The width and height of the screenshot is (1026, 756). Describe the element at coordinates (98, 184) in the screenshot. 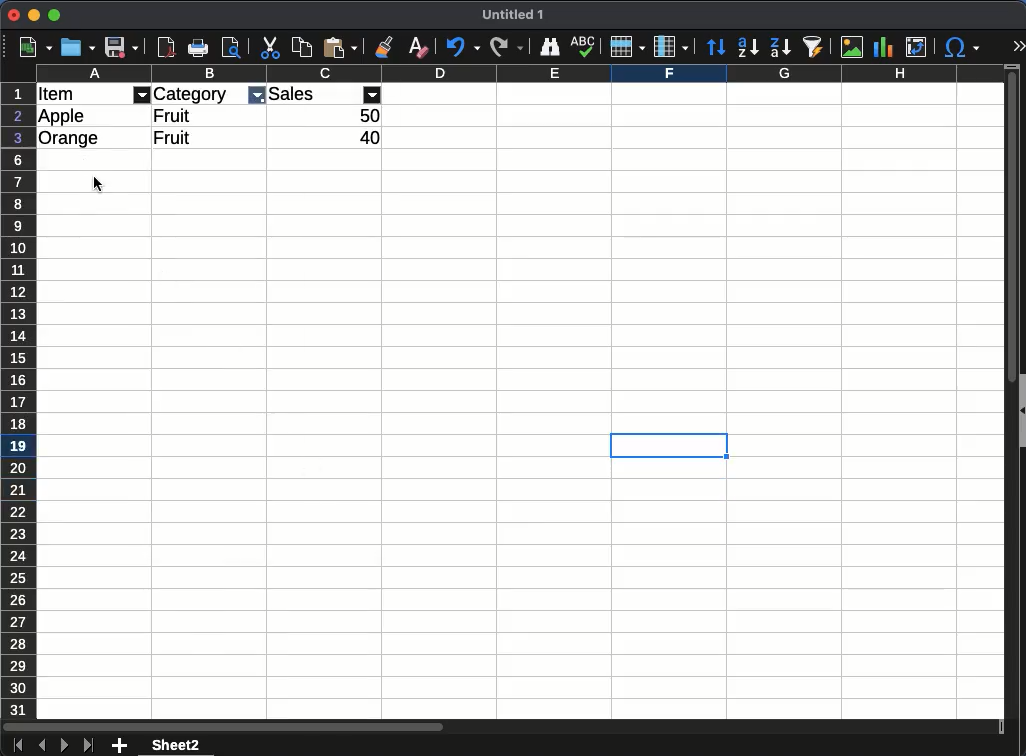

I see `cursor` at that location.